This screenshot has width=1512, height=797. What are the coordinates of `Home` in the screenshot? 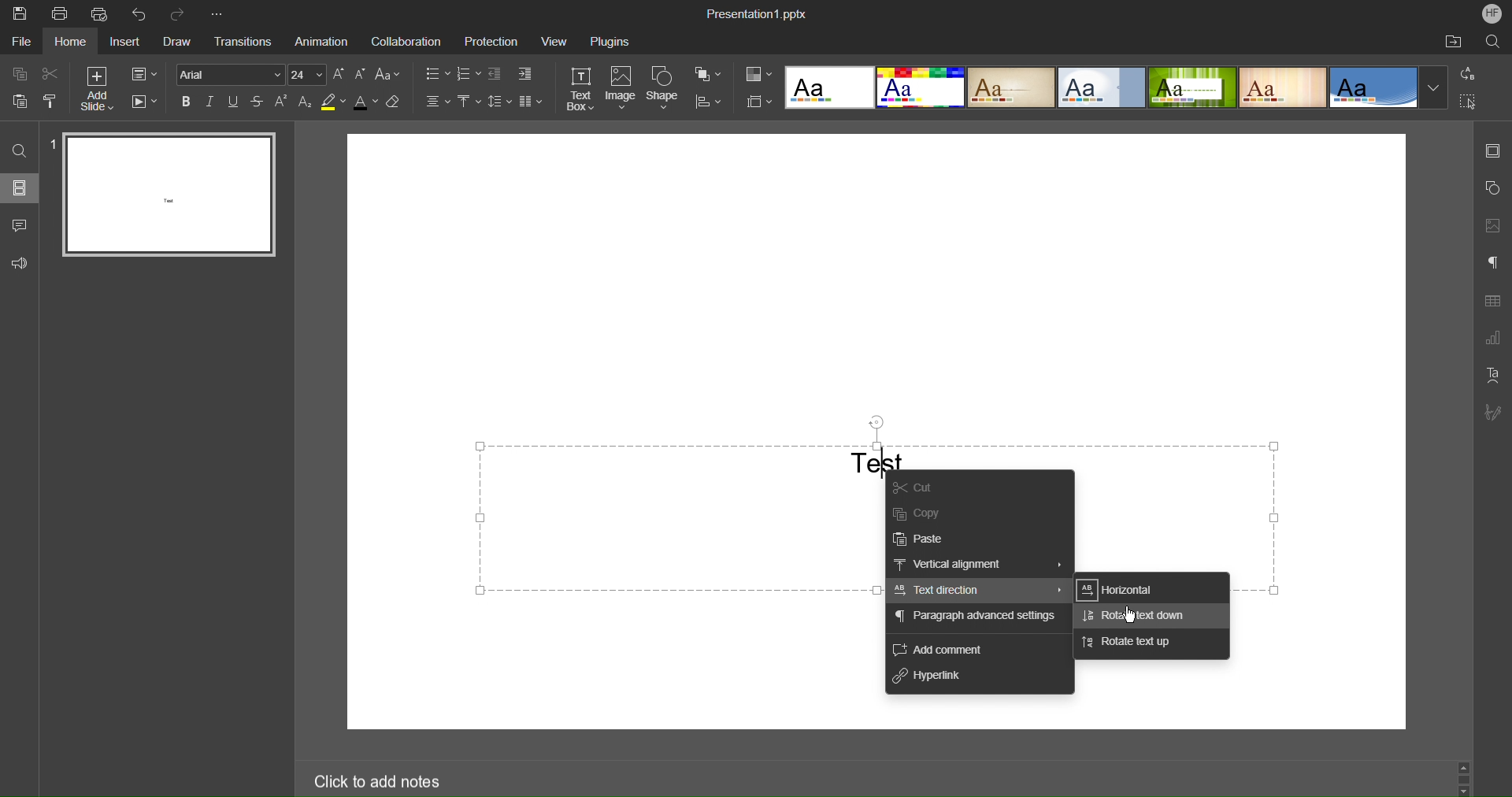 It's located at (72, 43).